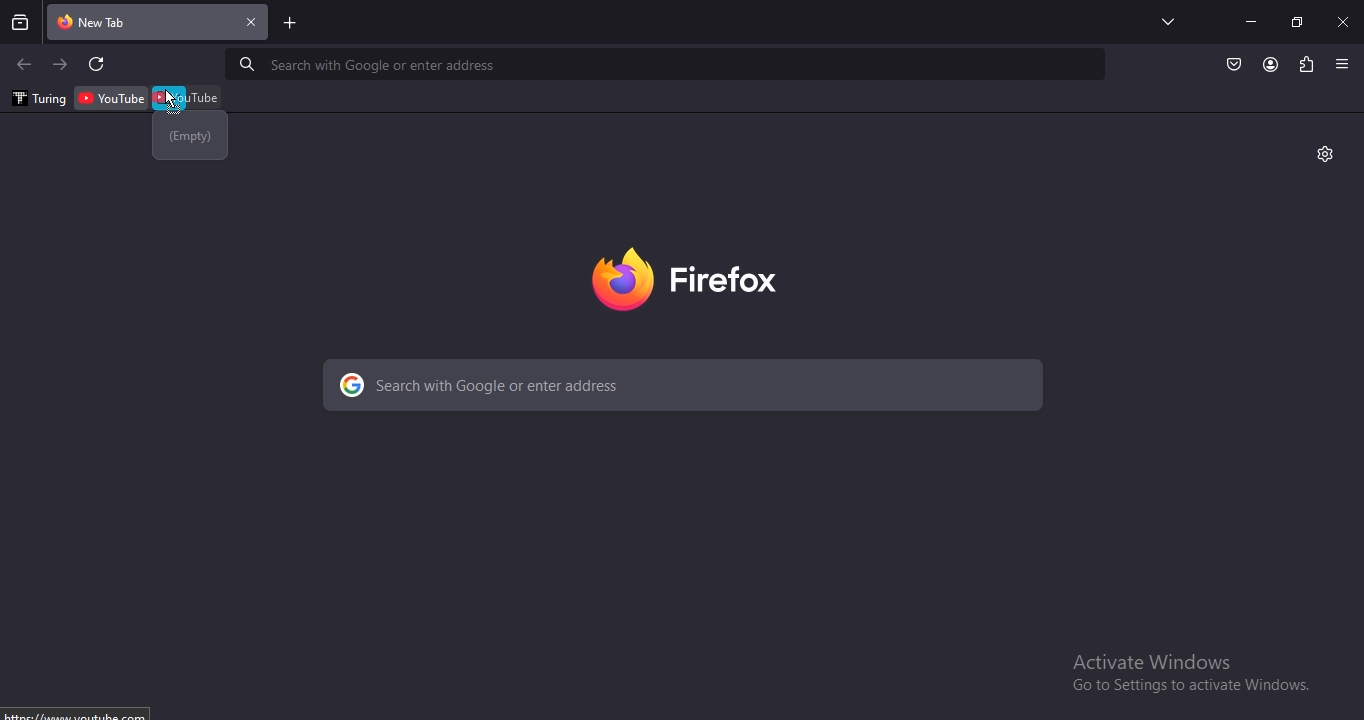  What do you see at coordinates (23, 65) in the screenshot?
I see `click to go to previous page` at bounding box center [23, 65].